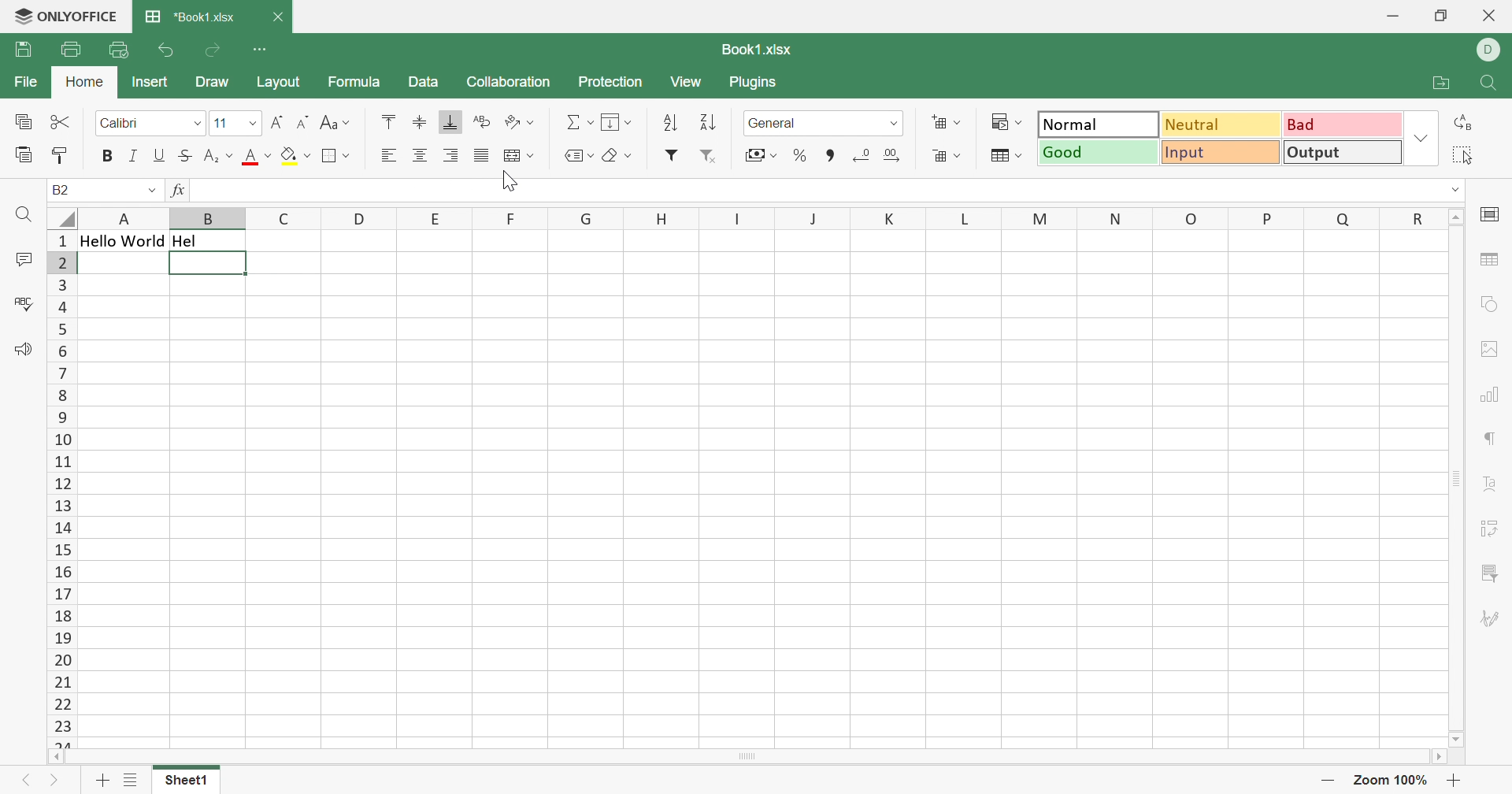  I want to click on List of sheets, so click(132, 783).